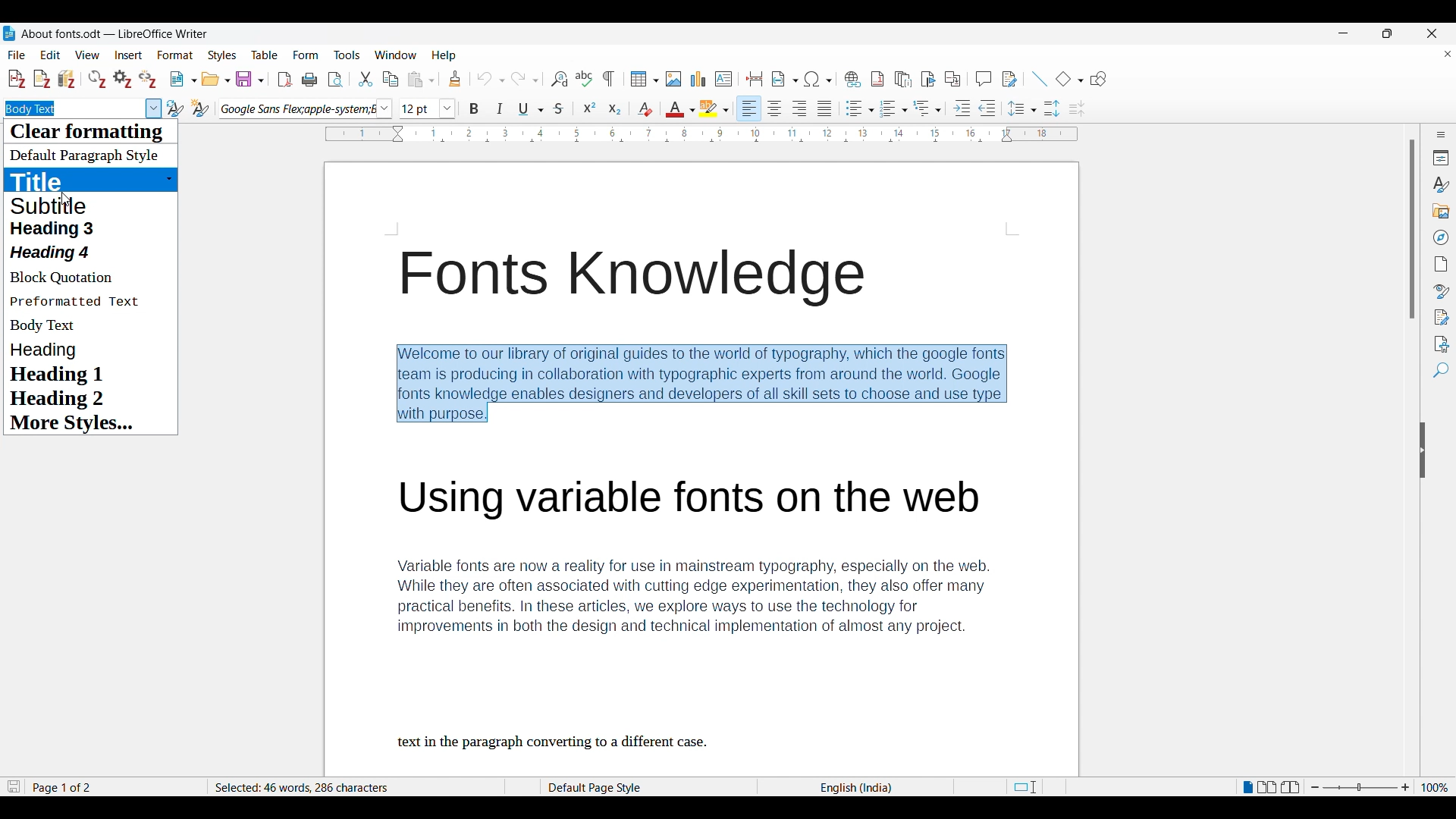  What do you see at coordinates (50, 325) in the screenshot?
I see `body text` at bounding box center [50, 325].